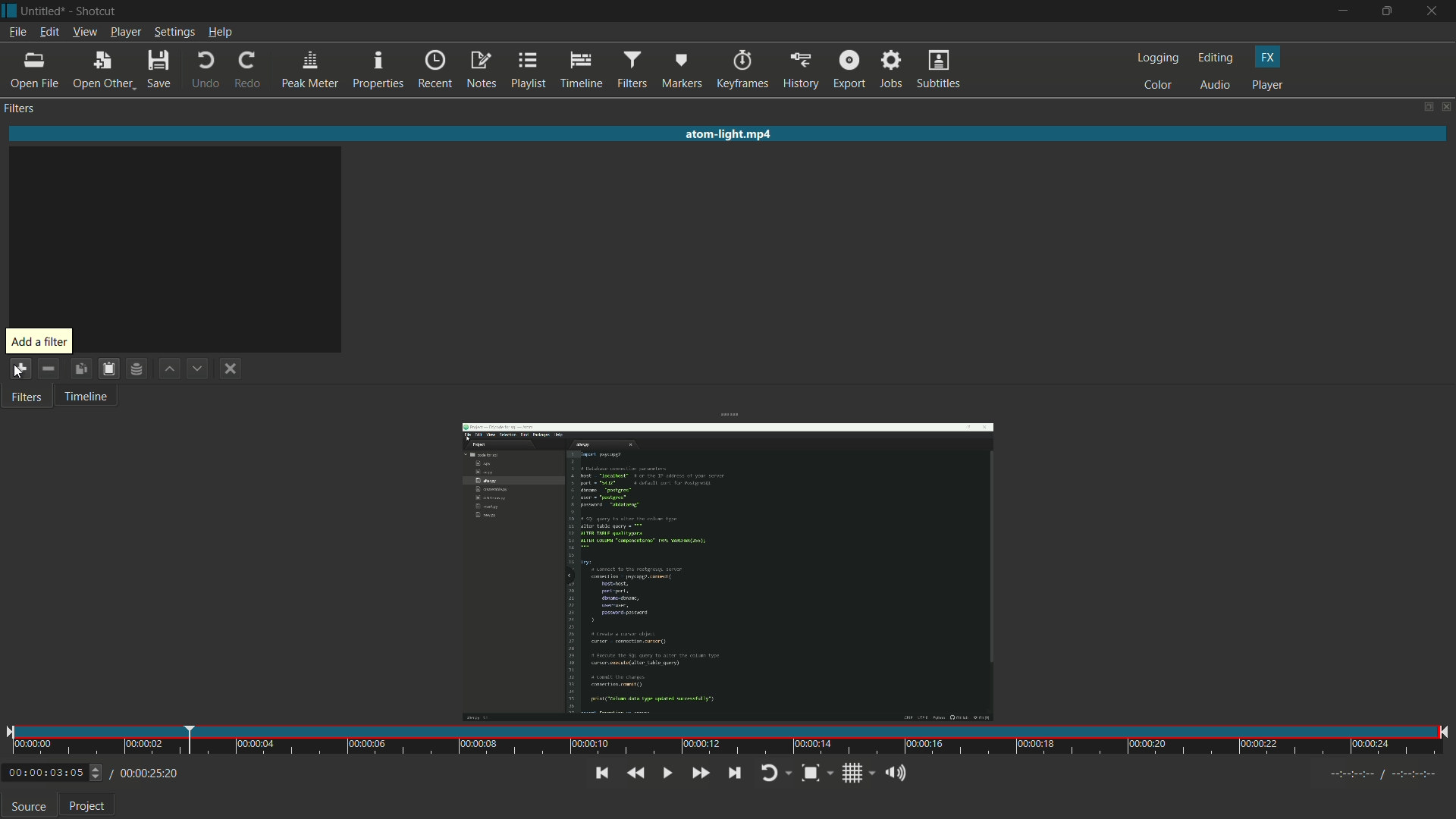 The width and height of the screenshot is (1456, 819). What do you see at coordinates (809, 773) in the screenshot?
I see `toggle zoom` at bounding box center [809, 773].